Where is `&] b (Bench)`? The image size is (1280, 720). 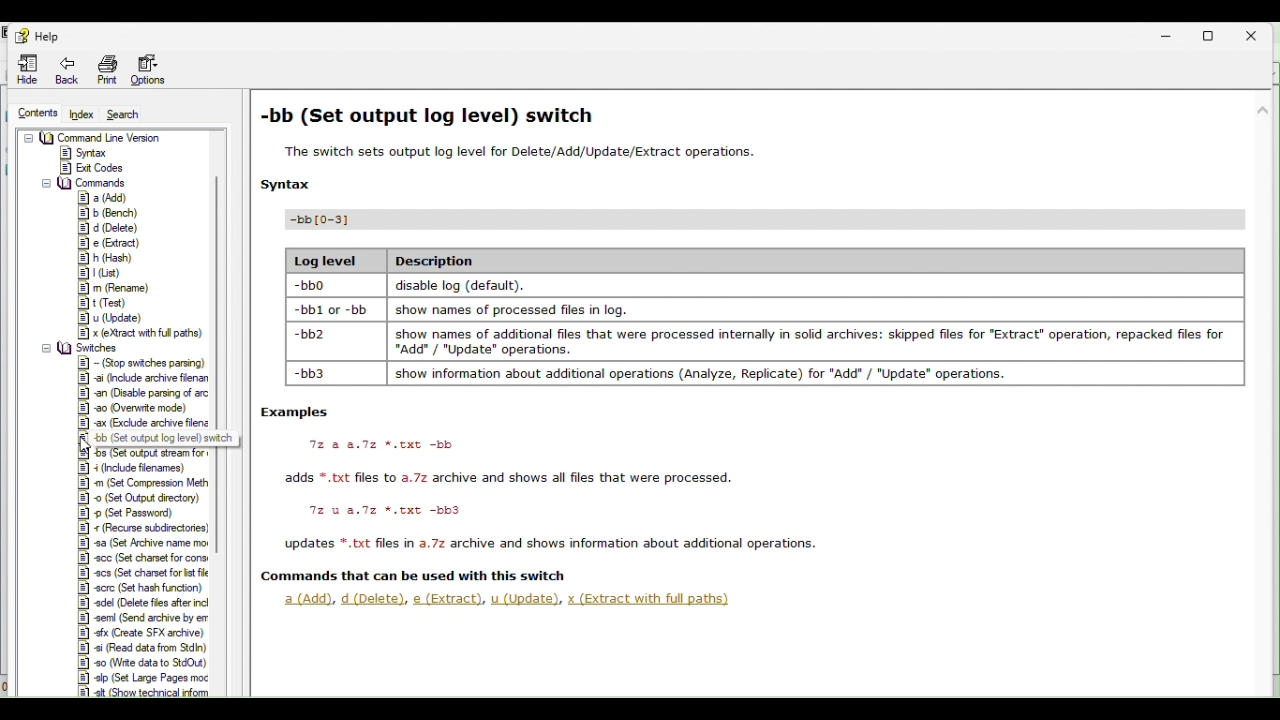
&] b (Bench) is located at coordinates (108, 214).